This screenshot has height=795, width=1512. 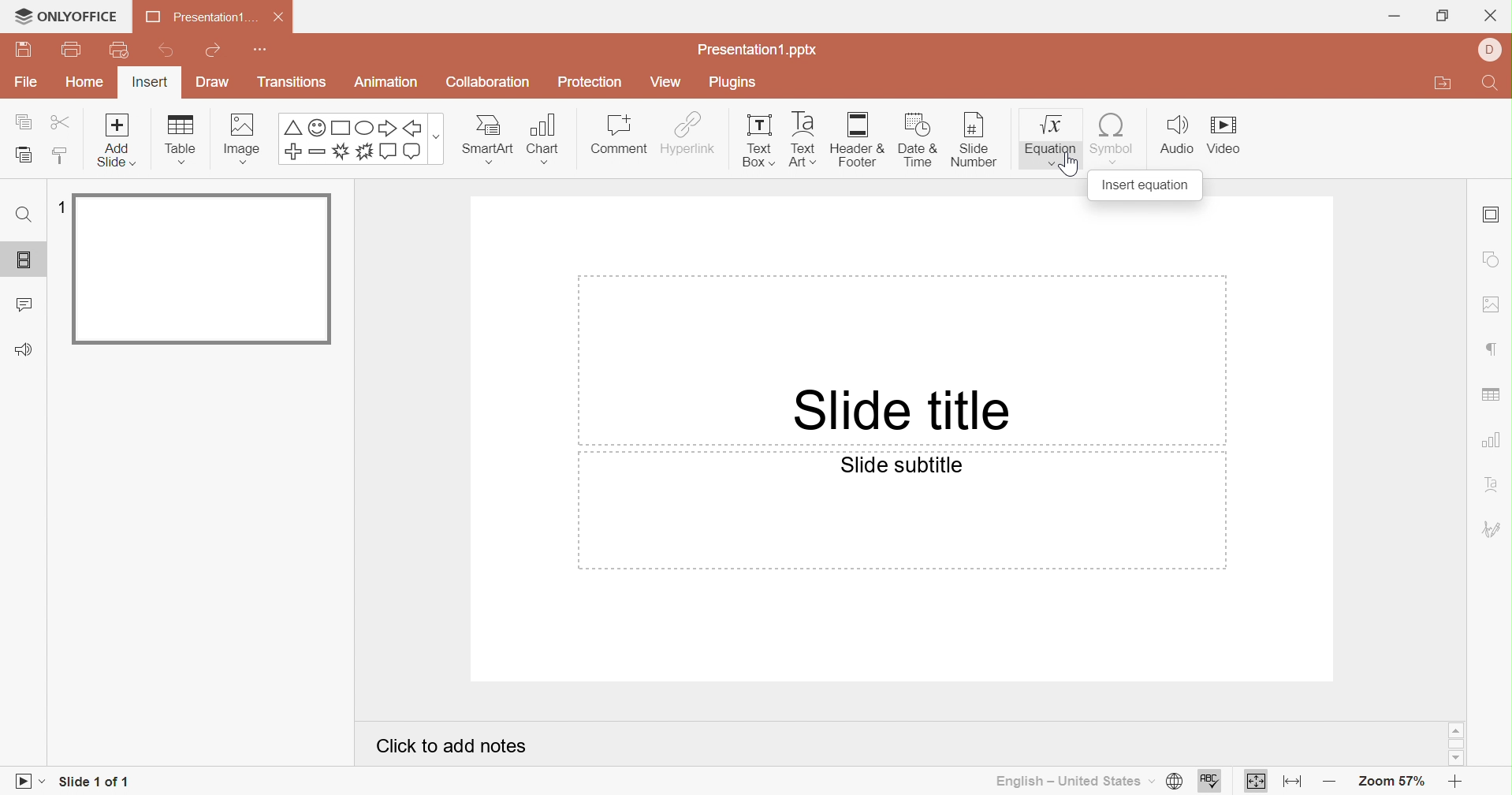 What do you see at coordinates (1494, 84) in the screenshot?
I see `Find` at bounding box center [1494, 84].